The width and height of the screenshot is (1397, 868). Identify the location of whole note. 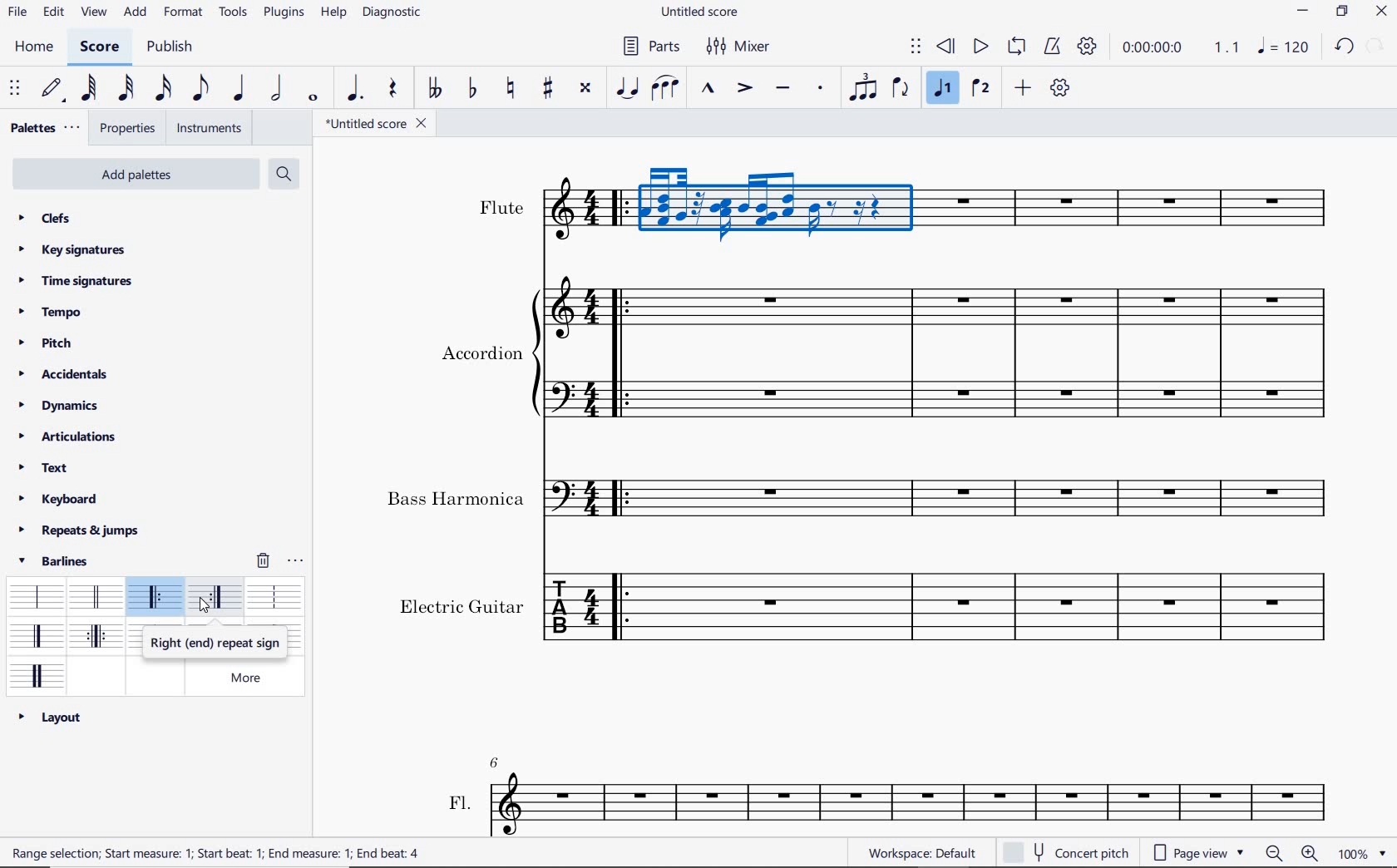
(313, 99).